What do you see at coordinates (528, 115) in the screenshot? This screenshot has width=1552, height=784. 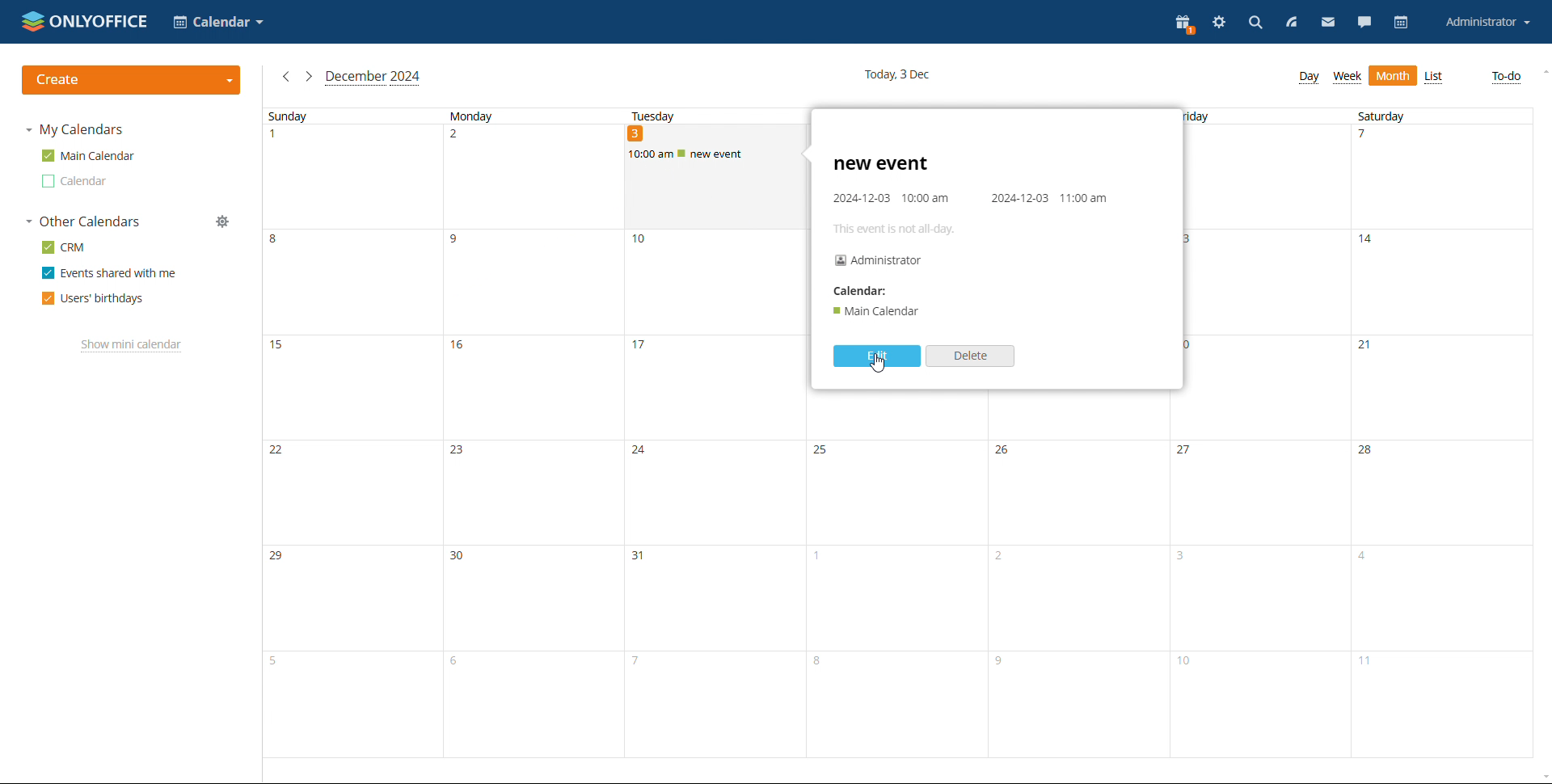 I see `Monday` at bounding box center [528, 115].